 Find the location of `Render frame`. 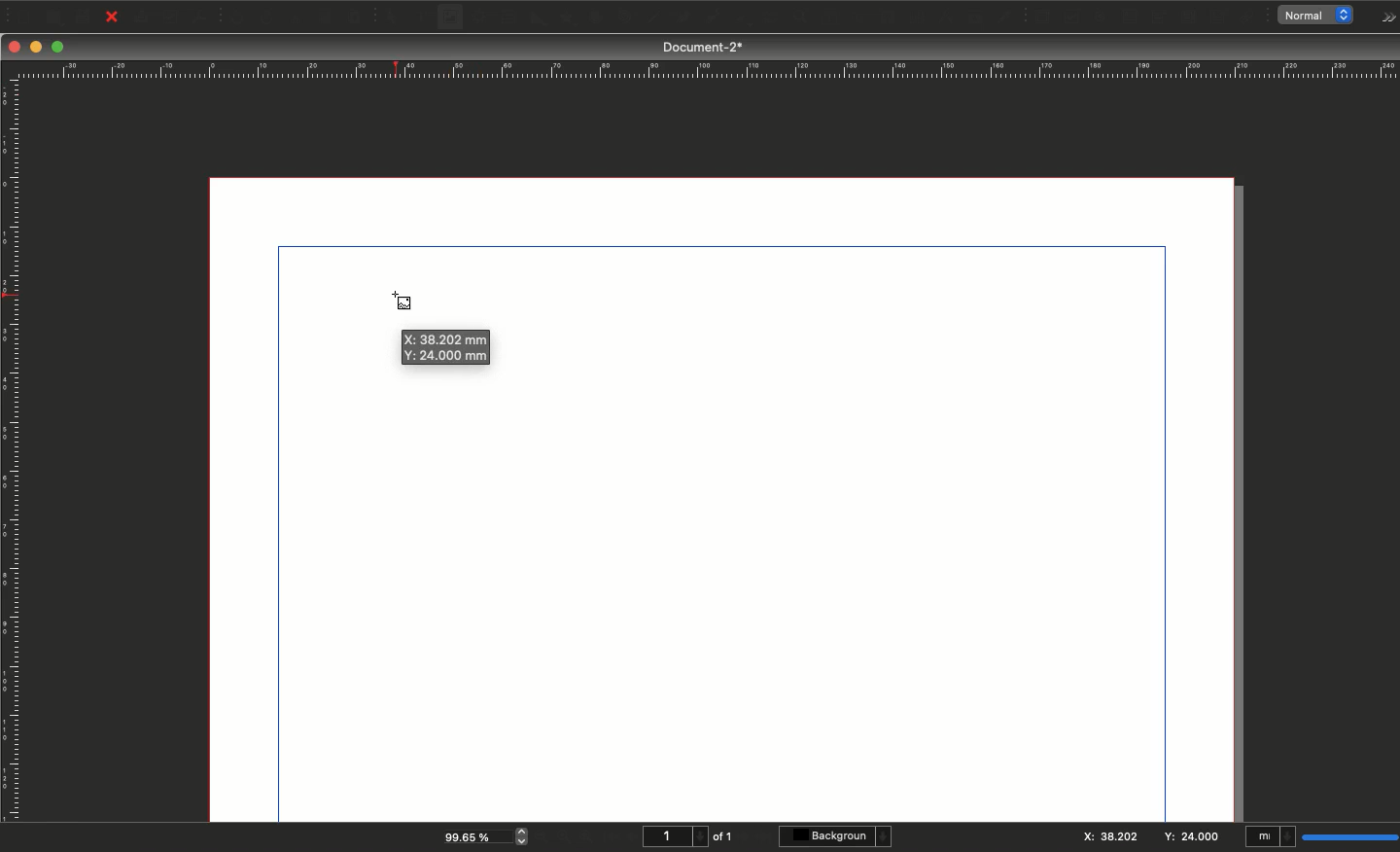

Render frame is located at coordinates (477, 18).